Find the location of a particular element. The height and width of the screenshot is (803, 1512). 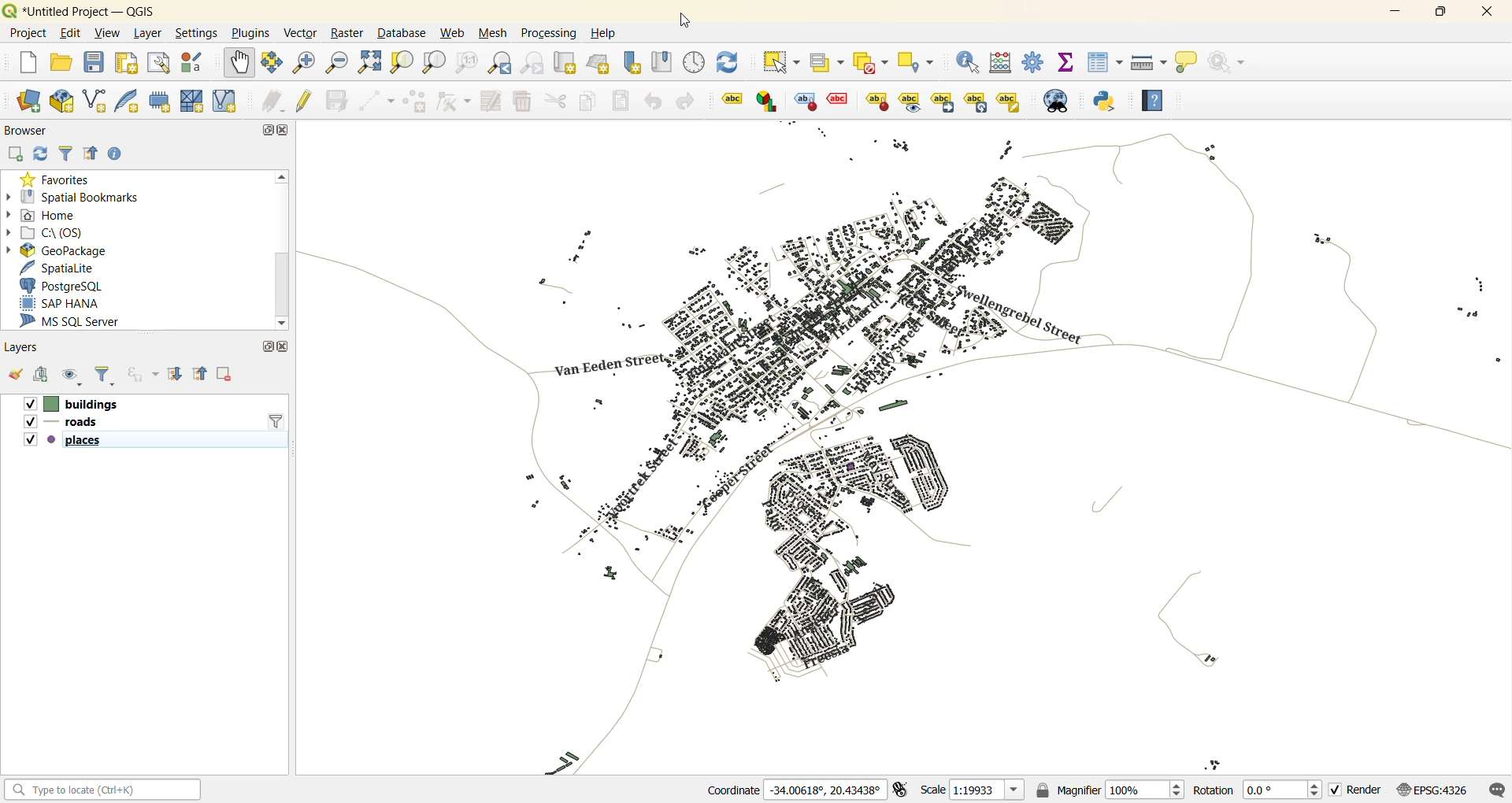

control panel is located at coordinates (698, 65).